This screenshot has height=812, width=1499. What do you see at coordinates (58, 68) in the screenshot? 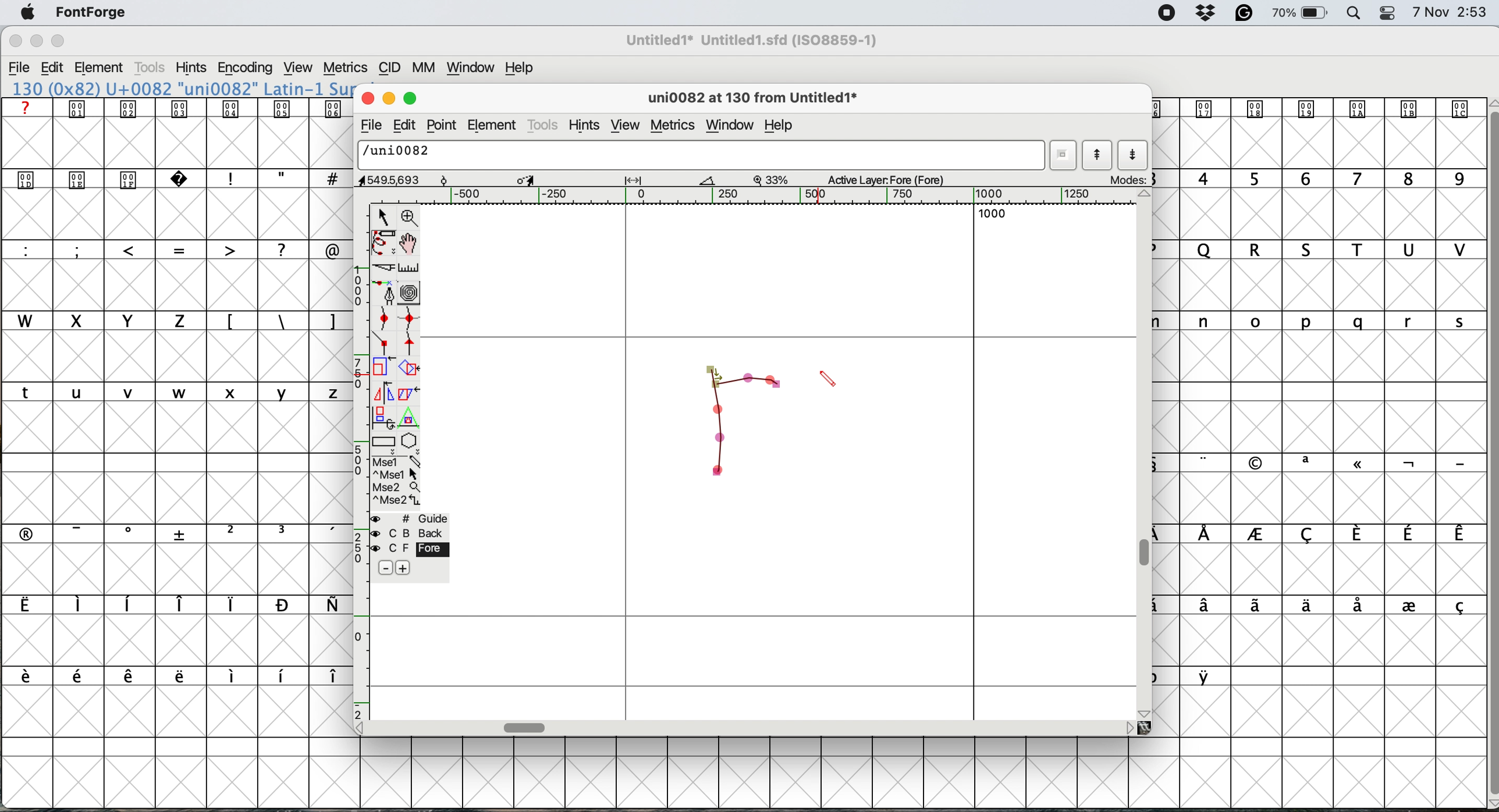
I see `edit` at bounding box center [58, 68].